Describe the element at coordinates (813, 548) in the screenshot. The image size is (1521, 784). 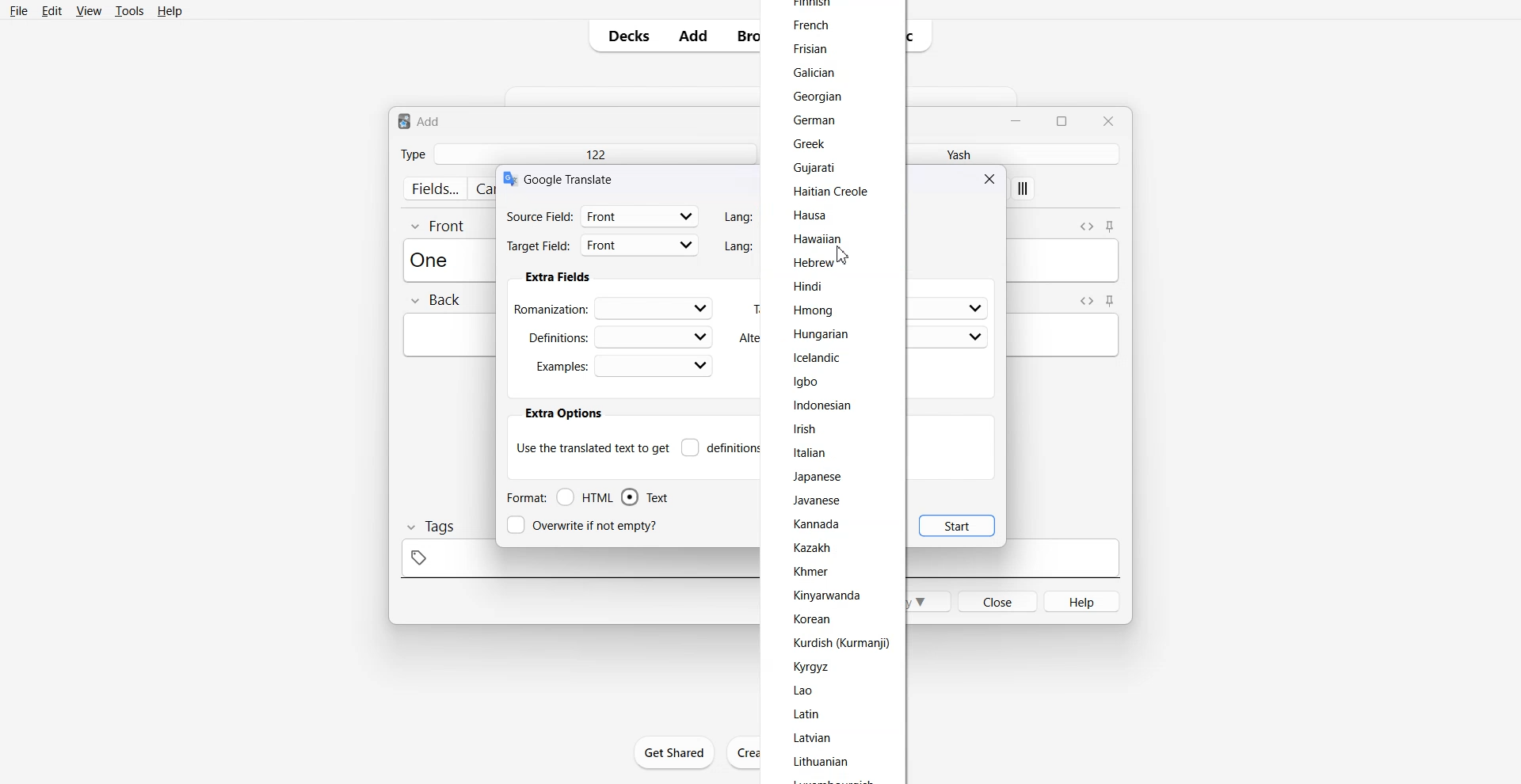
I see `Kazakh` at that location.